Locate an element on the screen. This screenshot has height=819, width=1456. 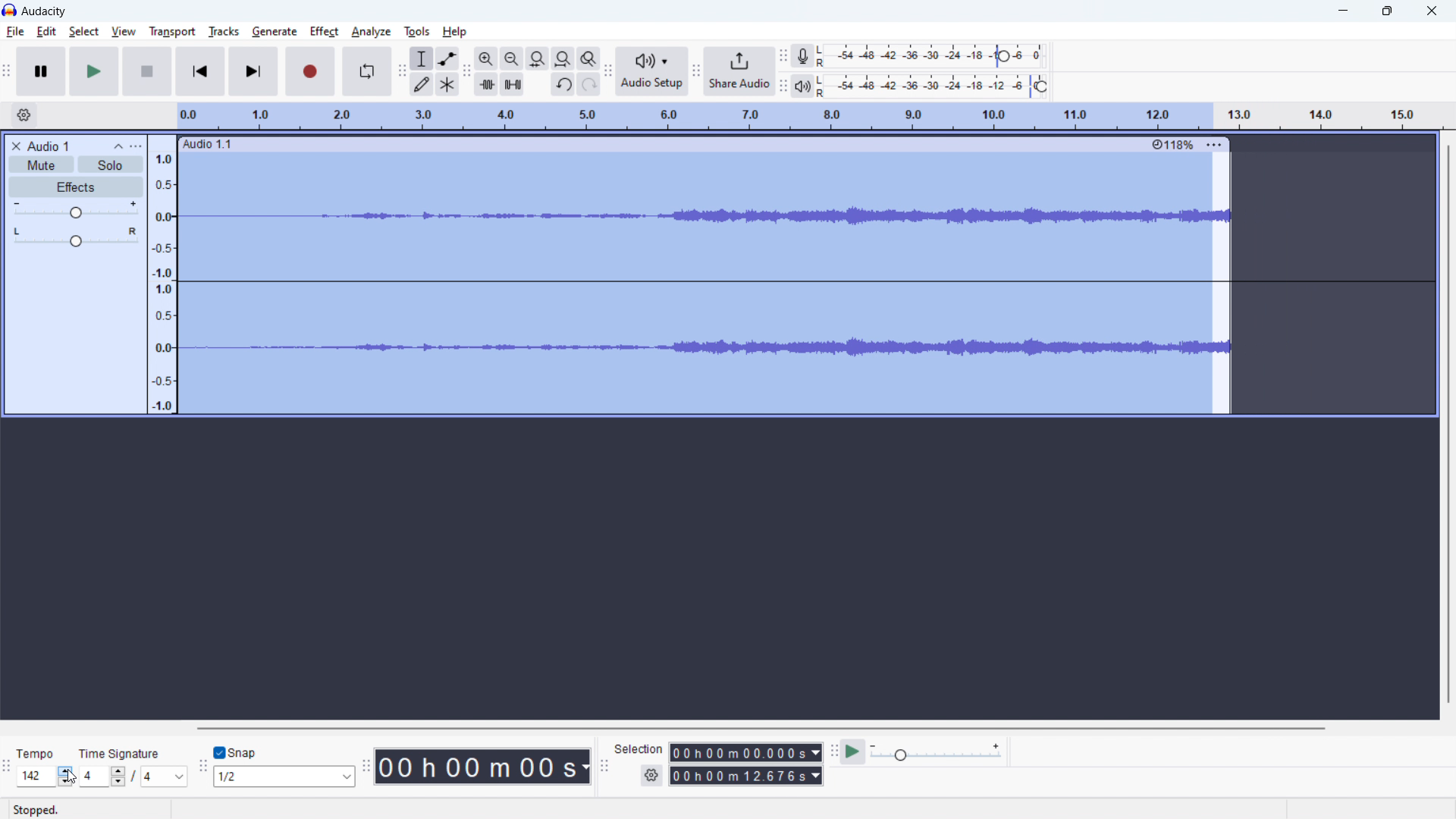
delete audio is located at coordinates (15, 146).